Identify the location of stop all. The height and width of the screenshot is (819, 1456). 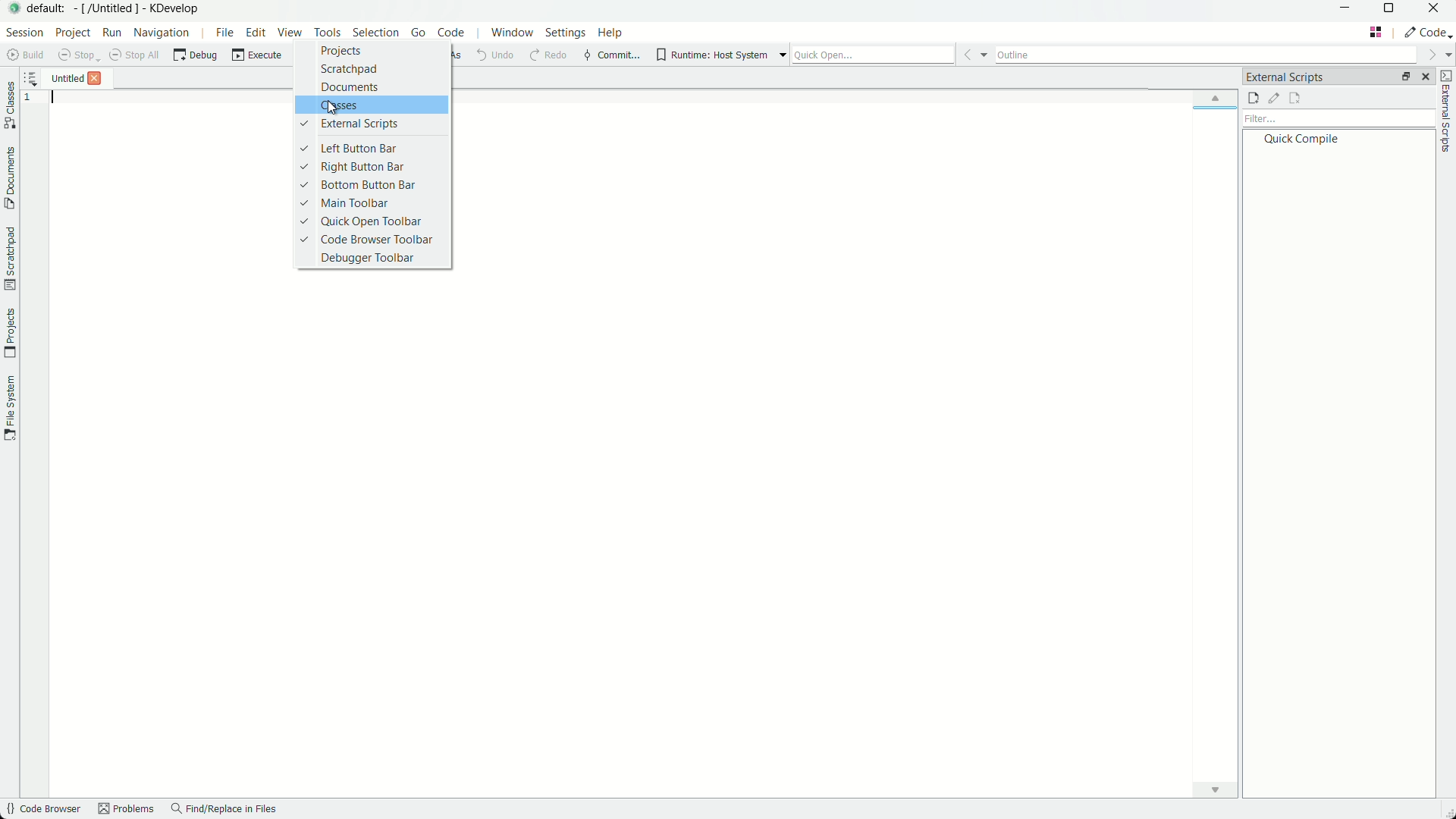
(136, 58).